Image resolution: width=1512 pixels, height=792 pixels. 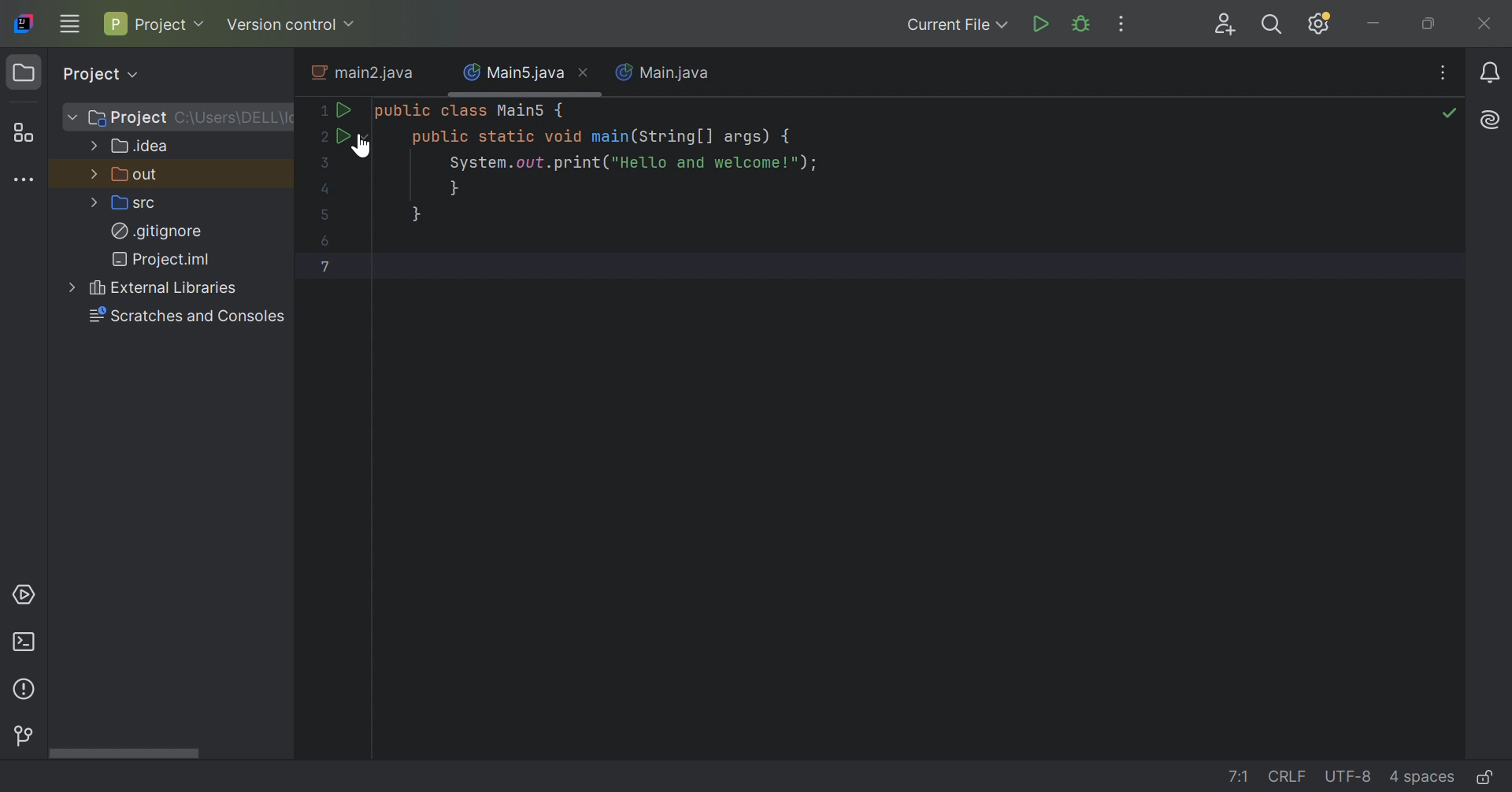 I want to click on Project, so click(x=127, y=119).